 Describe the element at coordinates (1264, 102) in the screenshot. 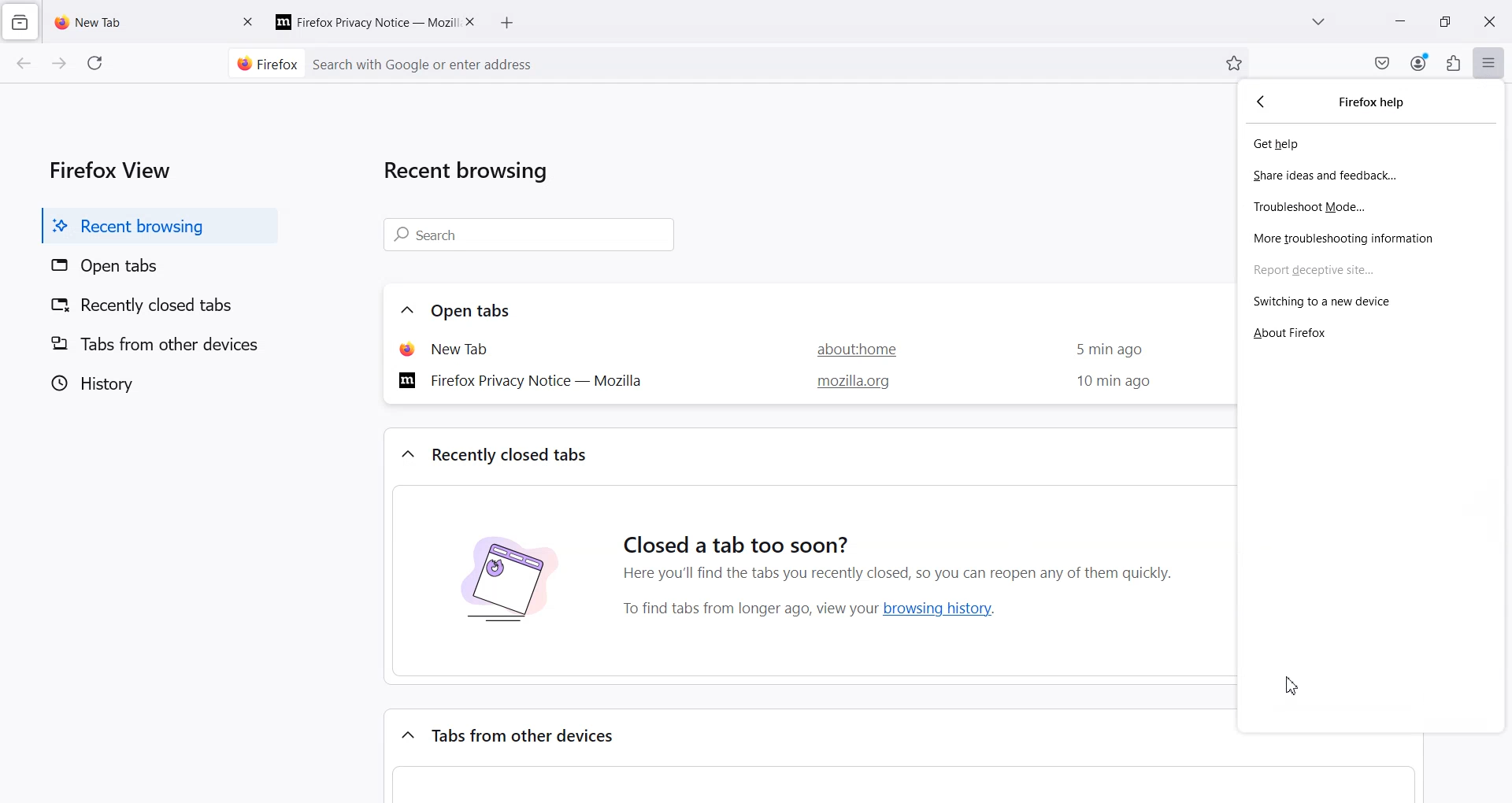

I see `Back` at that location.